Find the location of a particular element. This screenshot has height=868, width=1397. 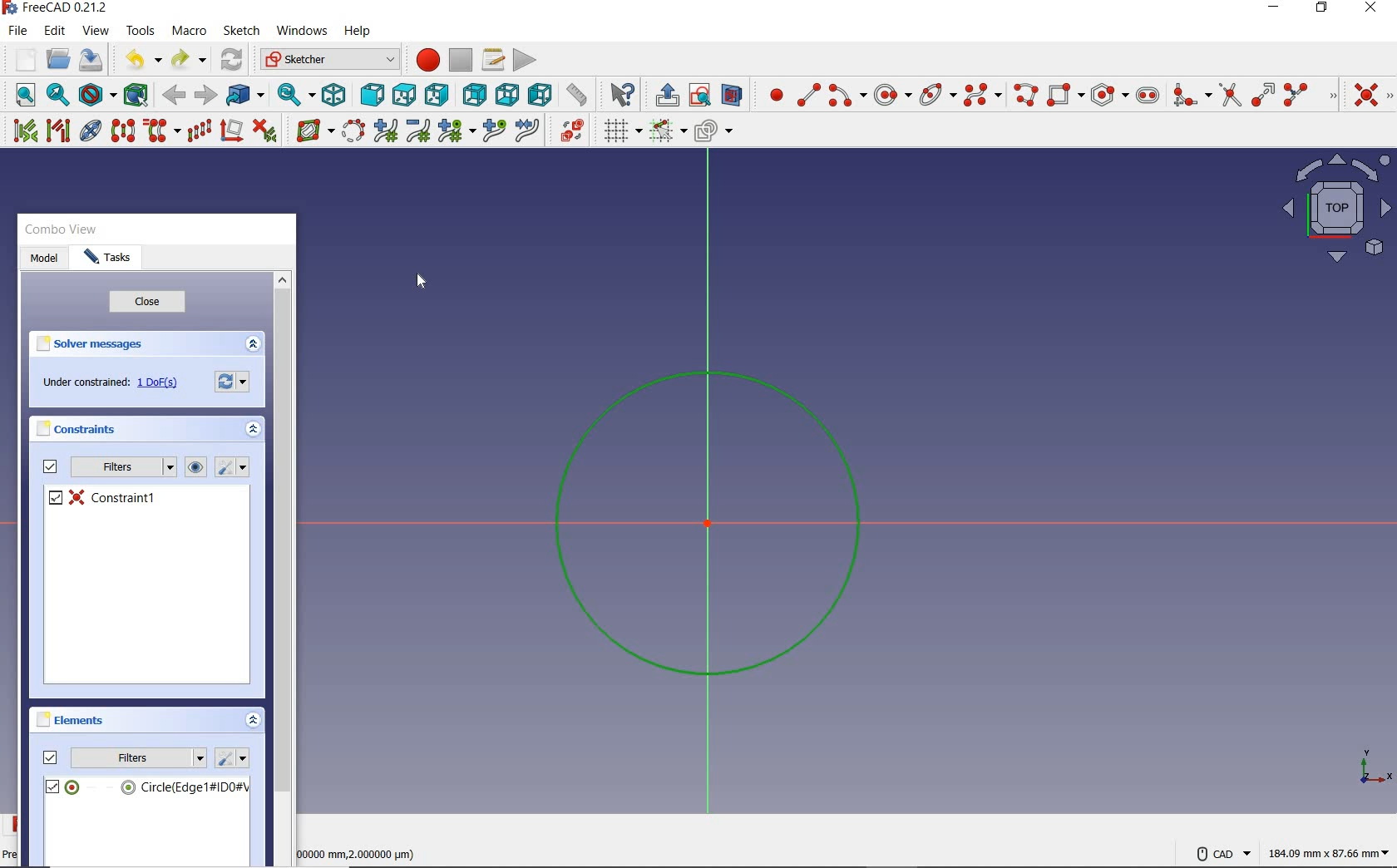

coordinate is located at coordinates (1374, 767).